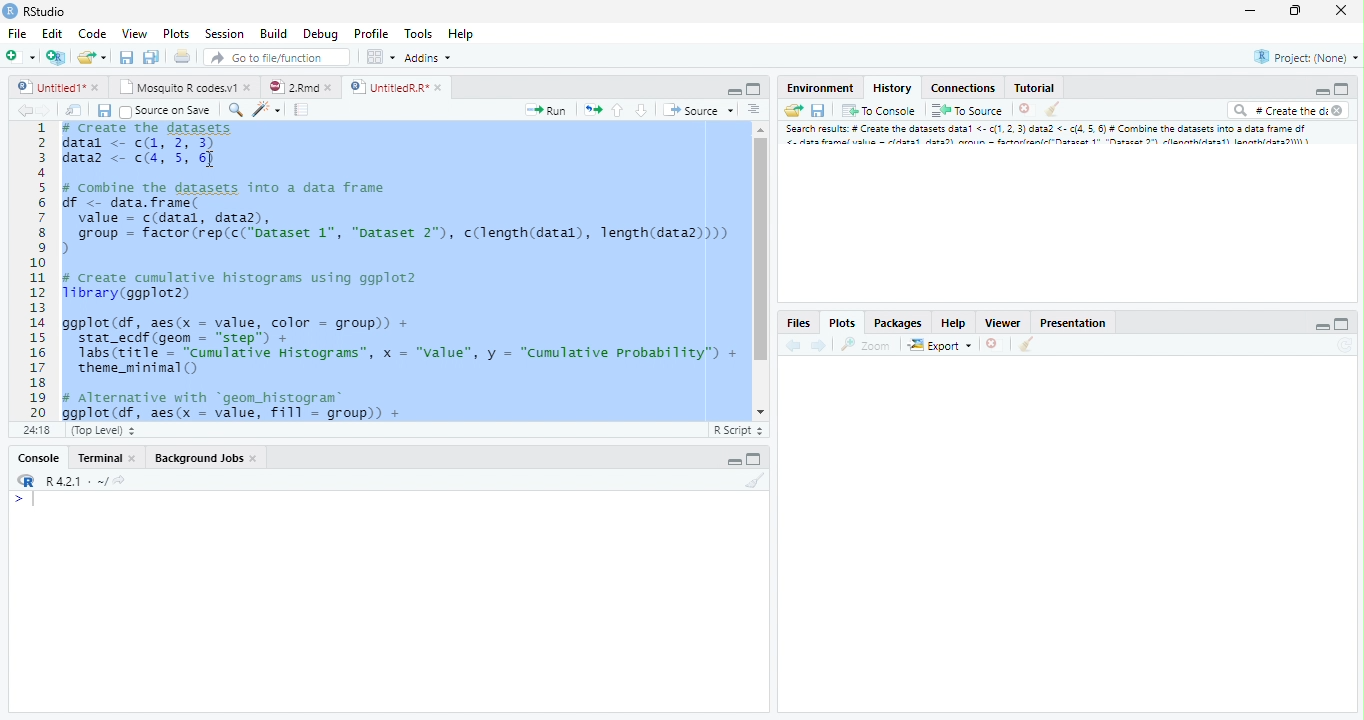 This screenshot has height=720, width=1364. Describe the element at coordinates (188, 87) in the screenshot. I see `Mosquito R codes` at that location.